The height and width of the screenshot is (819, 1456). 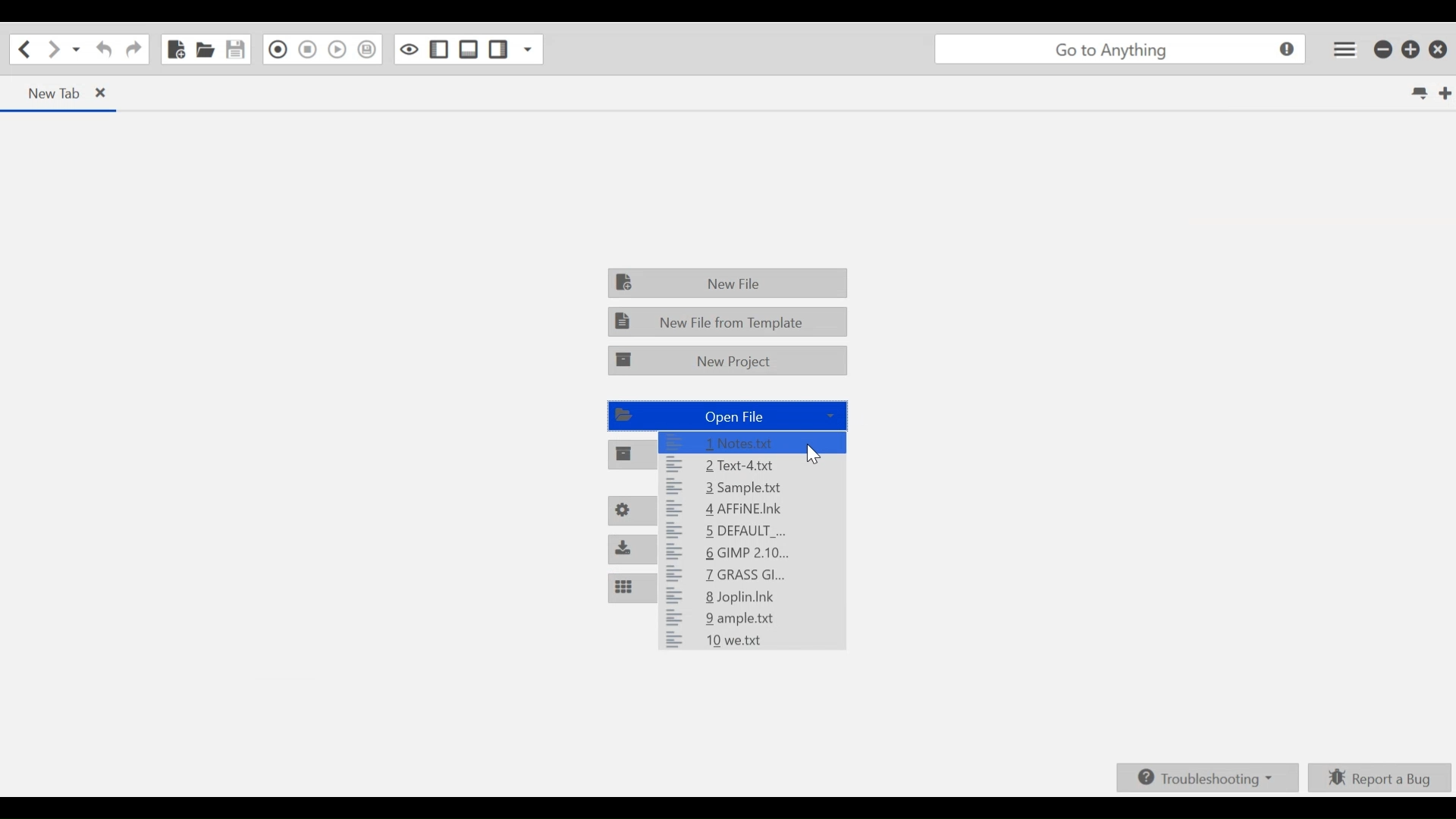 What do you see at coordinates (367, 50) in the screenshot?
I see `Save Macro to toolbox as Superscript` at bounding box center [367, 50].